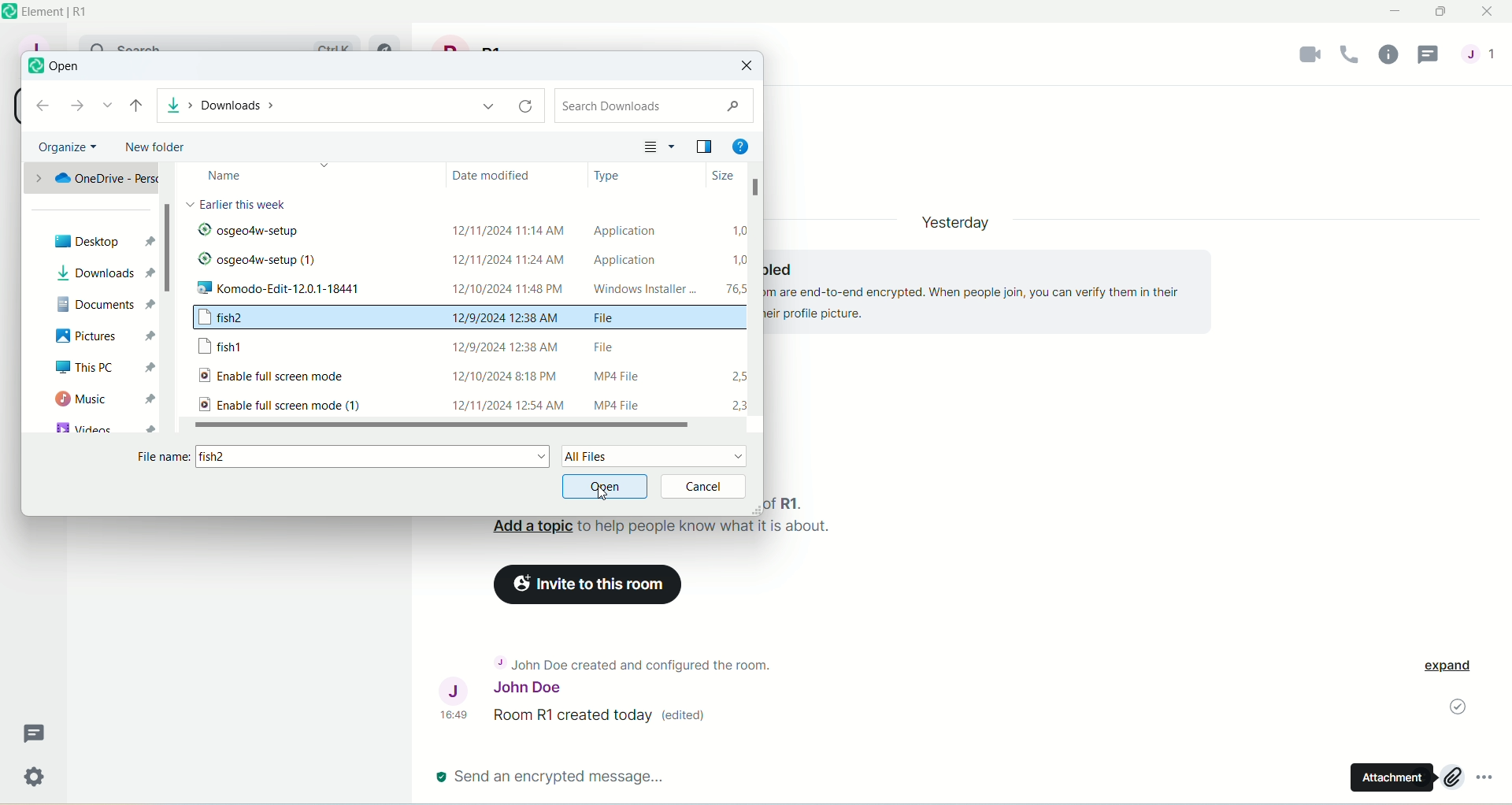  Describe the element at coordinates (65, 67) in the screenshot. I see `open` at that location.